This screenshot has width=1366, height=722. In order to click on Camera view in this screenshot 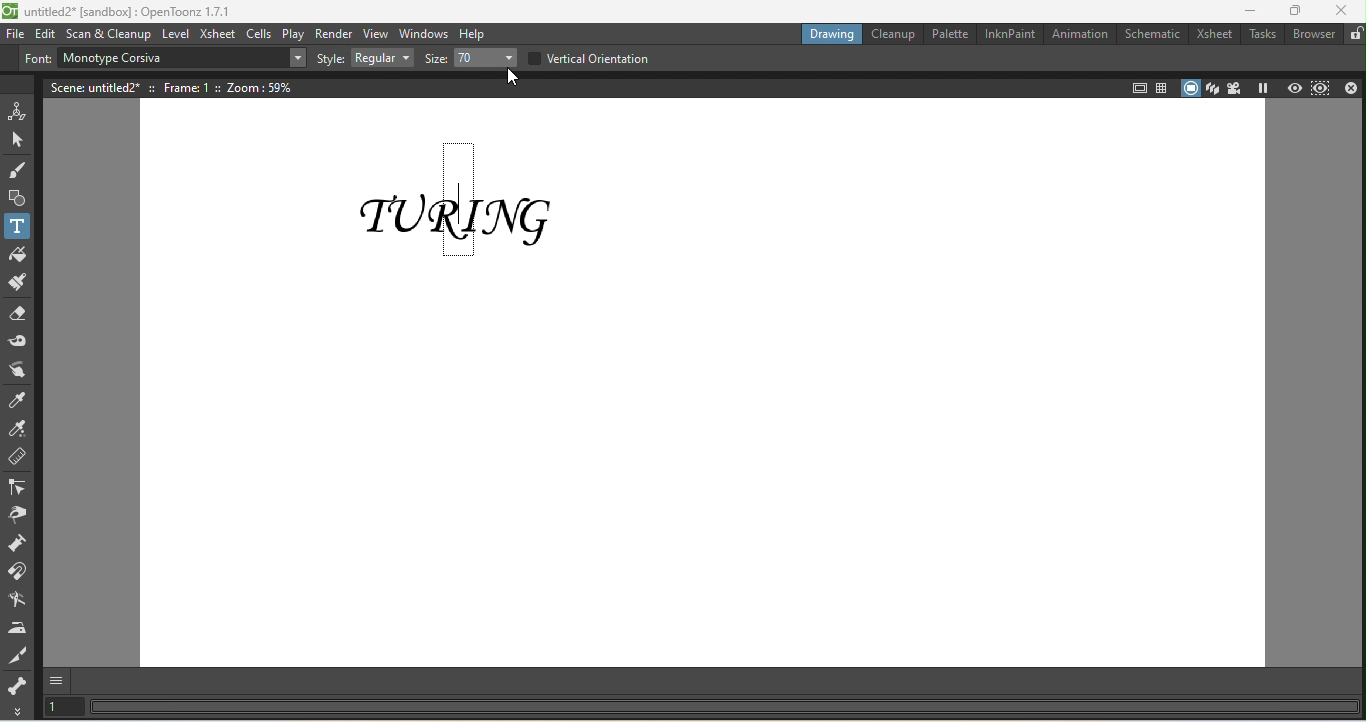, I will do `click(1237, 88)`.